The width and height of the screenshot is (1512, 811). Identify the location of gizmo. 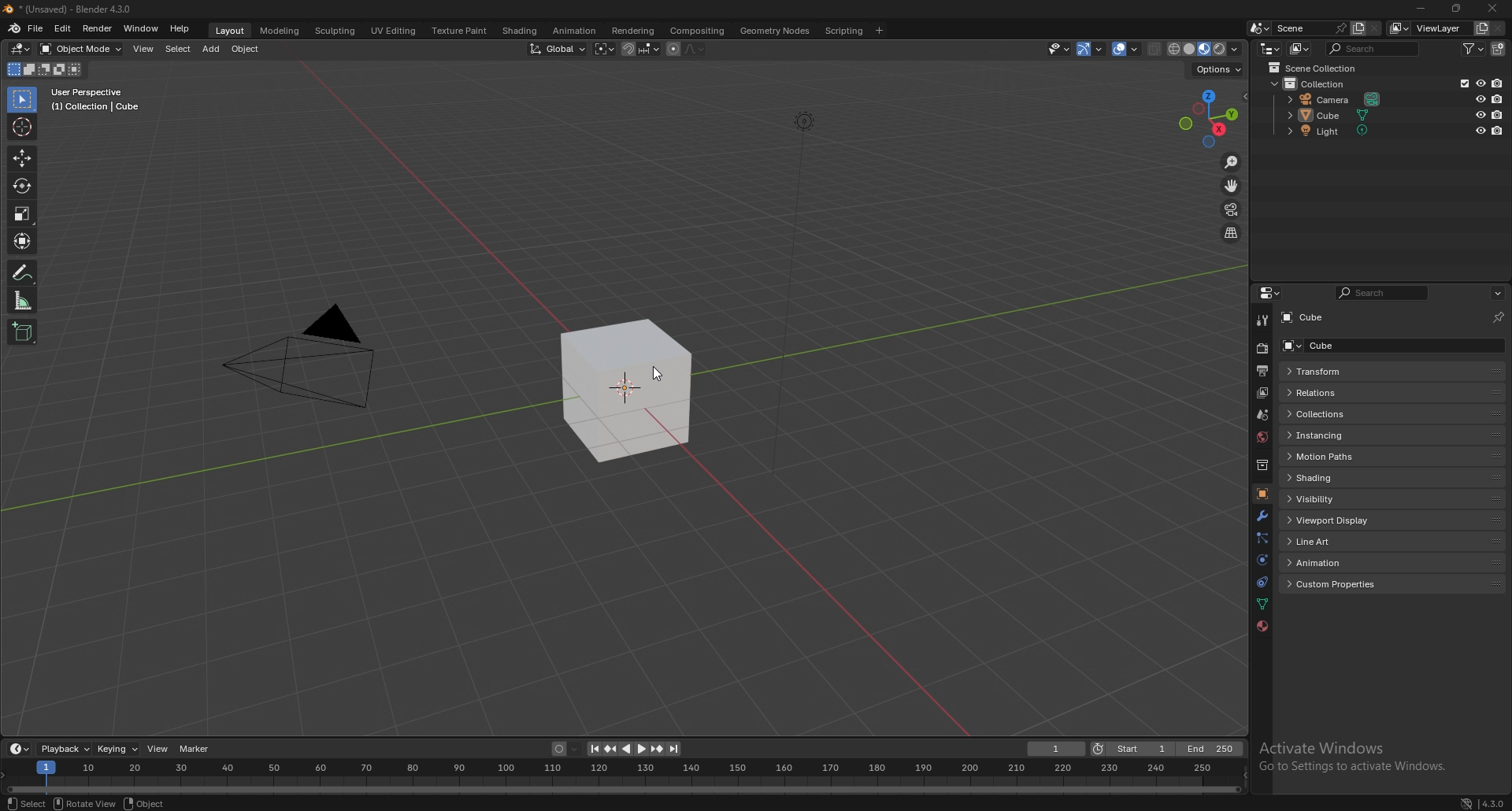
(1092, 49).